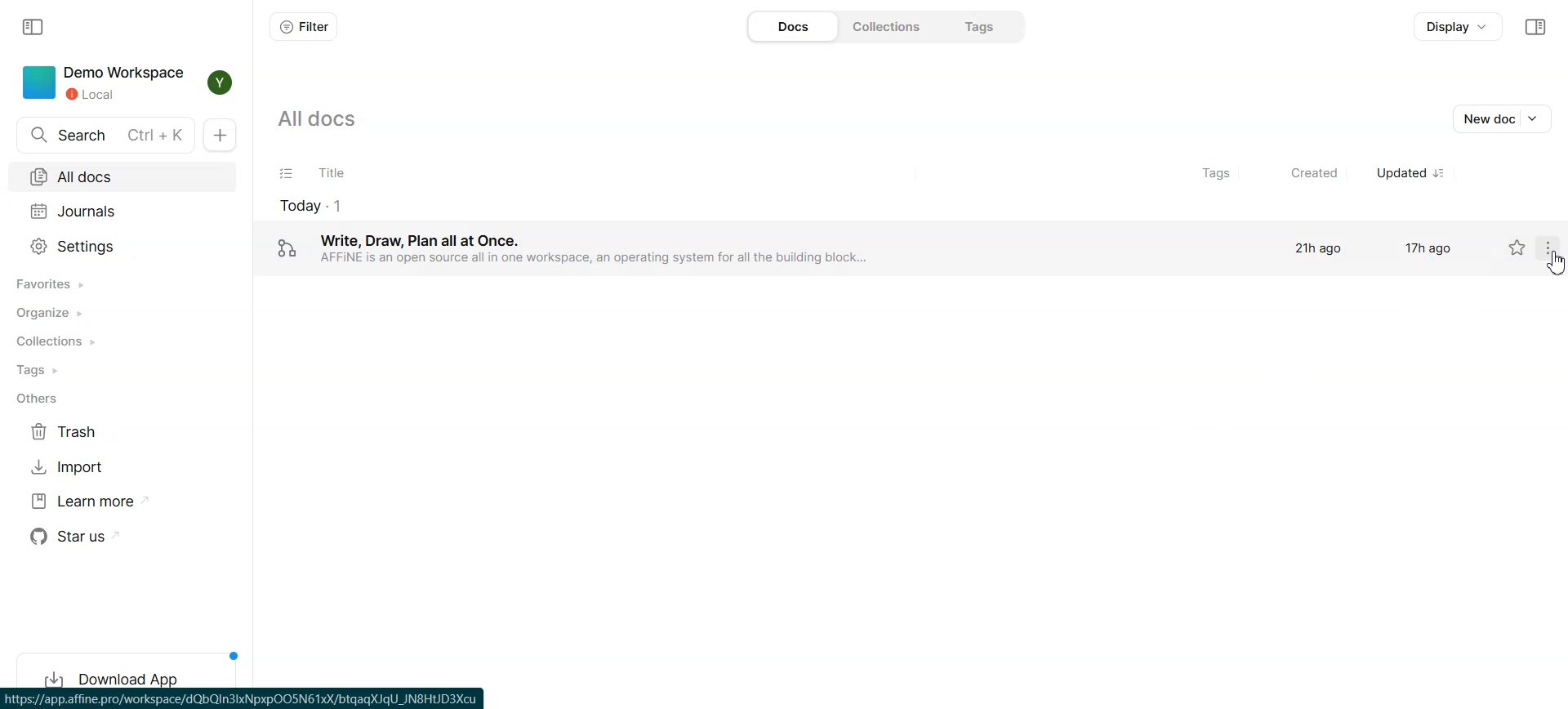 The height and width of the screenshot is (709, 1568). What do you see at coordinates (122, 285) in the screenshot?
I see `Favorites` at bounding box center [122, 285].